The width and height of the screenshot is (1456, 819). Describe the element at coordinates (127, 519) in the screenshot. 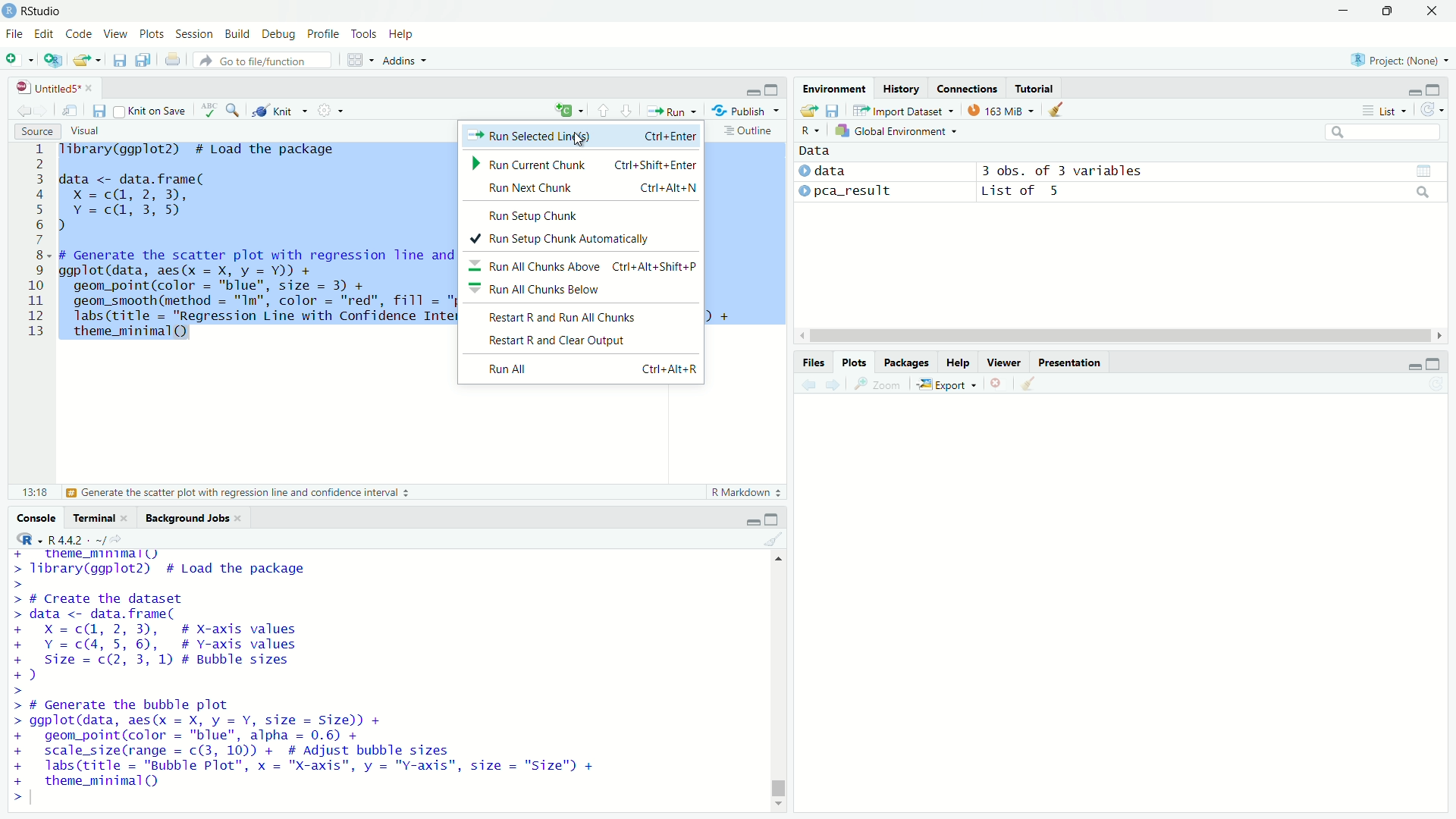

I see `close` at that location.